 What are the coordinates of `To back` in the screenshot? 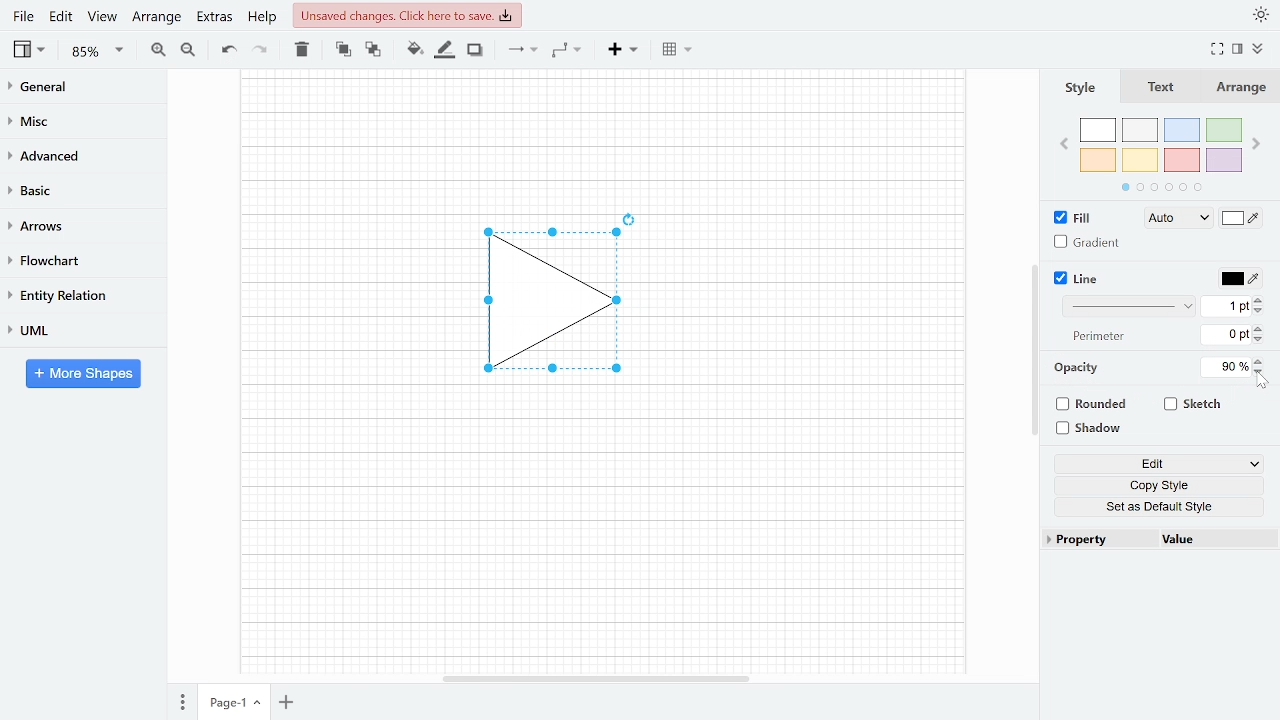 It's located at (371, 48).